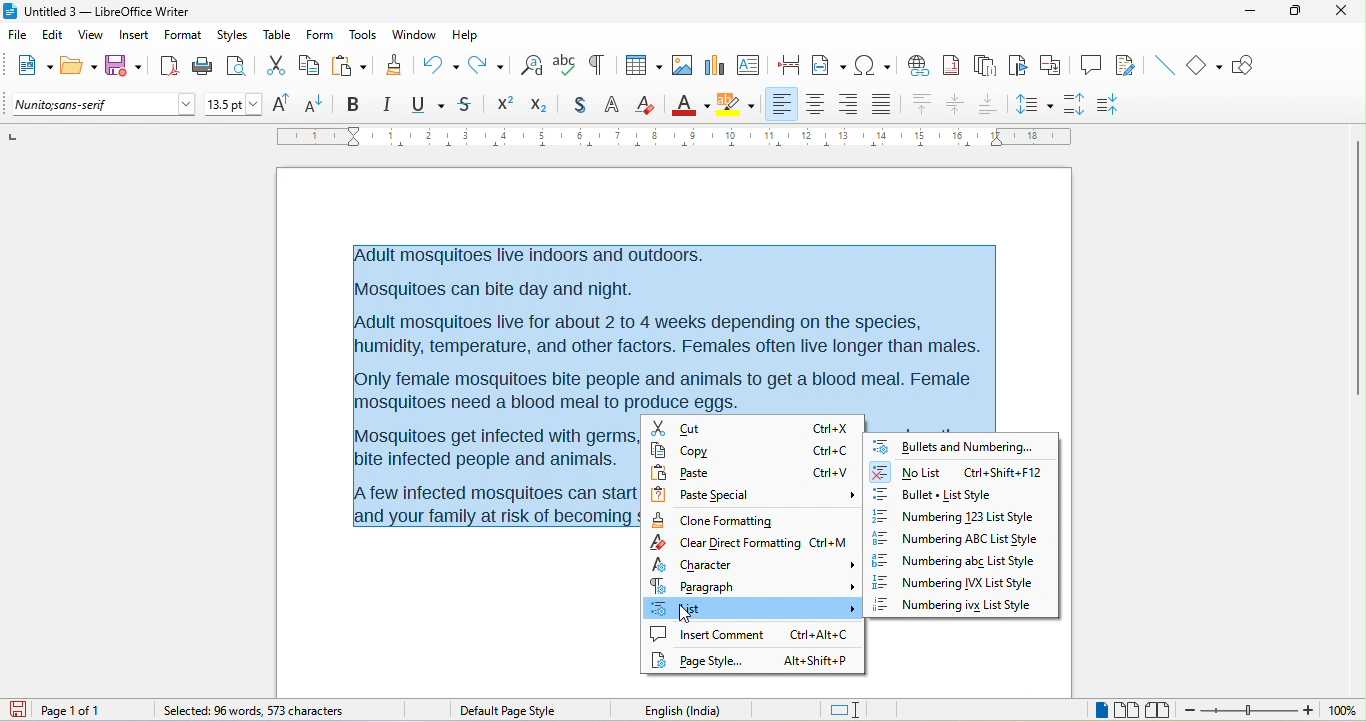 Image resolution: width=1366 pixels, height=722 pixels. I want to click on file, so click(13, 33).